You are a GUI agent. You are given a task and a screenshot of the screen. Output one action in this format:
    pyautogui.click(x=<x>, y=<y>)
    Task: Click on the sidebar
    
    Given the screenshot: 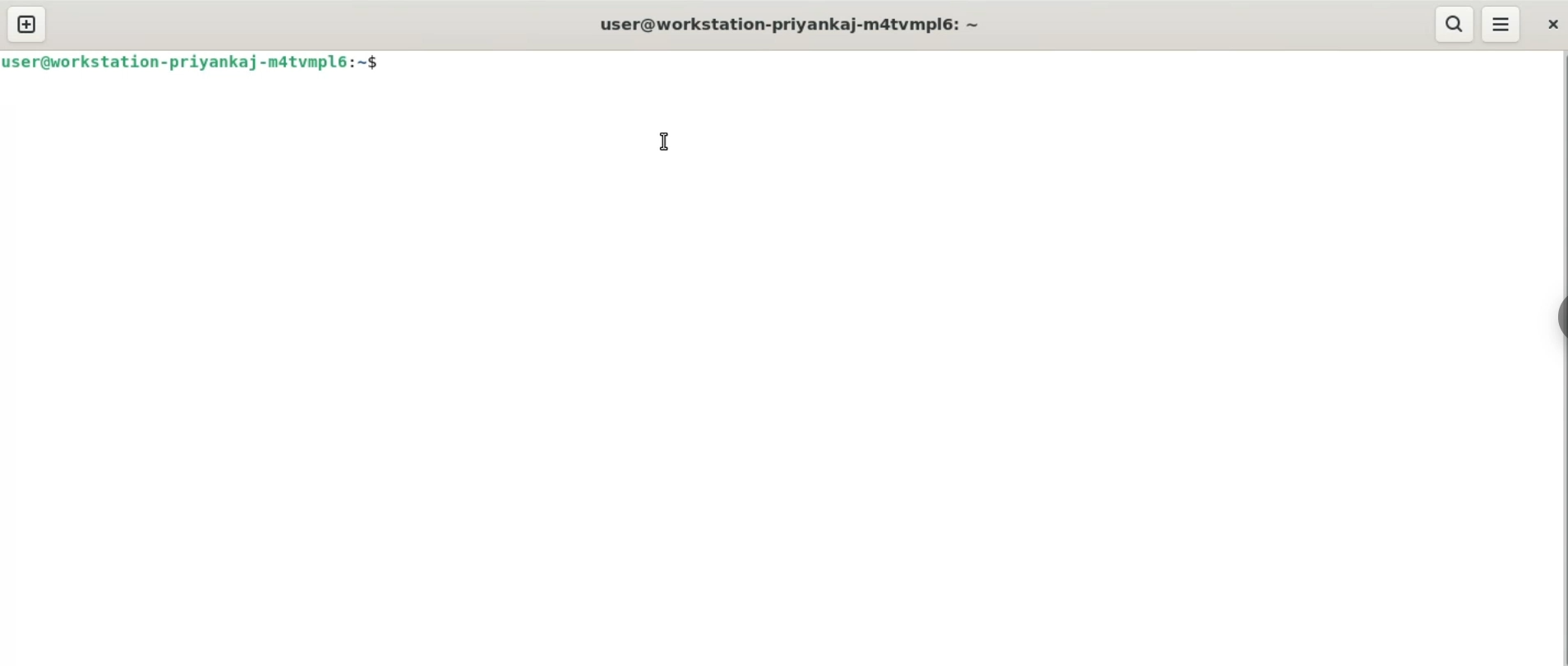 What is the action you would take?
    pyautogui.click(x=1553, y=317)
    